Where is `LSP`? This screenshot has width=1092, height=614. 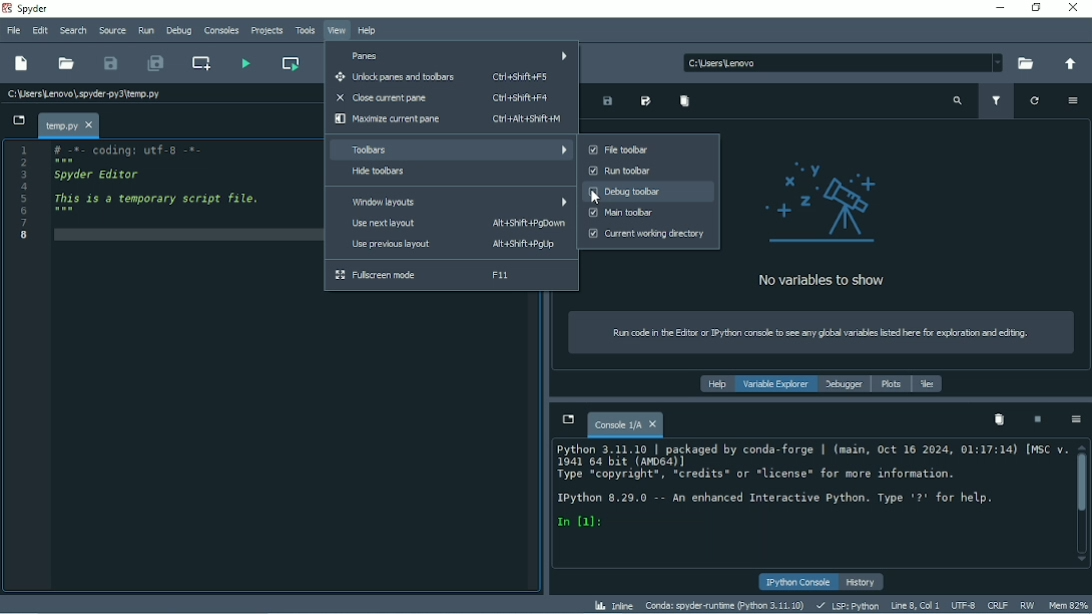
LSP is located at coordinates (846, 606).